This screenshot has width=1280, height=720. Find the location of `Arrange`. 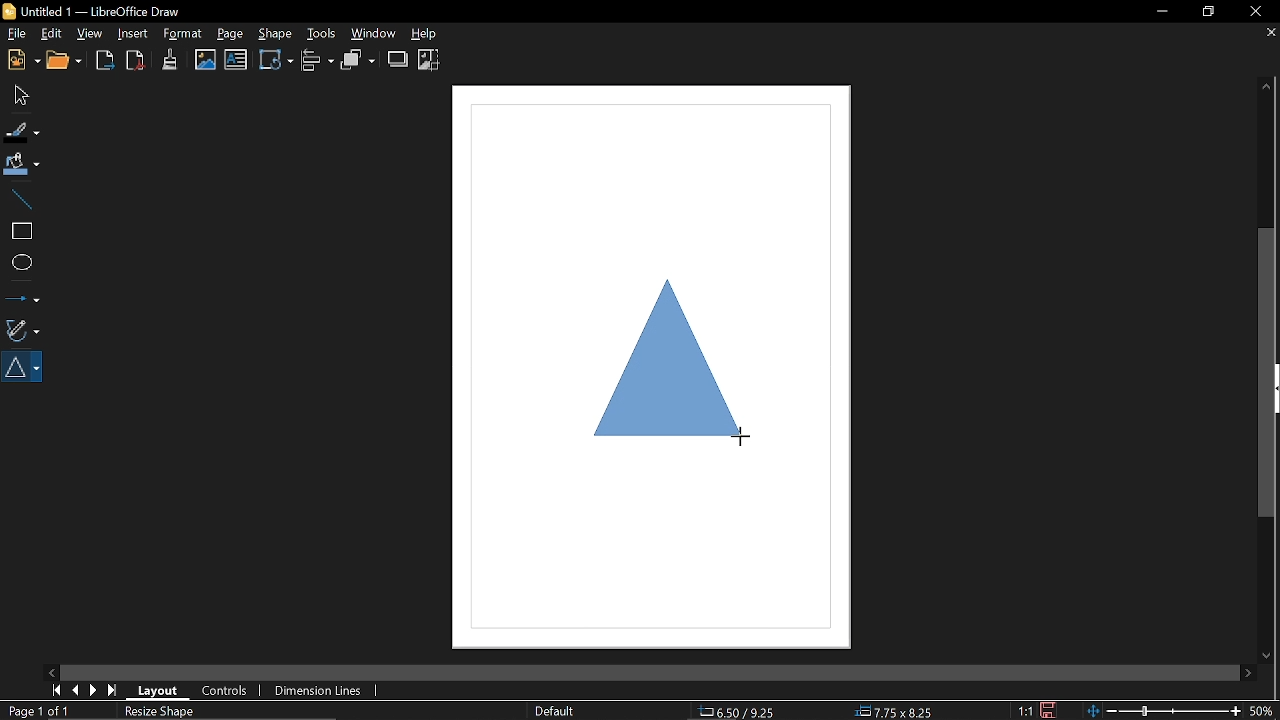

Arrange is located at coordinates (358, 60).